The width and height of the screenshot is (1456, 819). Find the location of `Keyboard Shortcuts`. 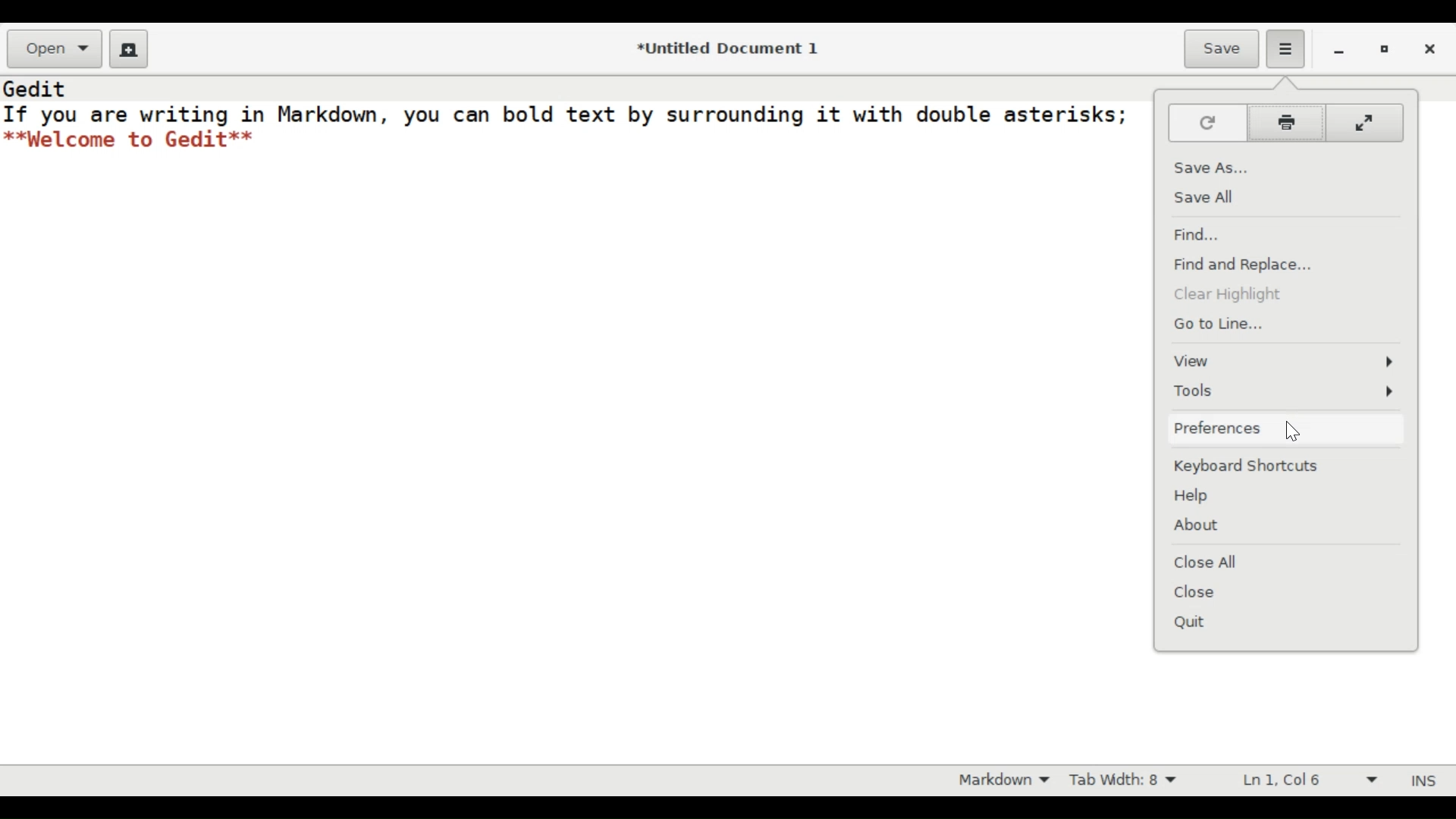

Keyboard Shortcuts is located at coordinates (1250, 465).